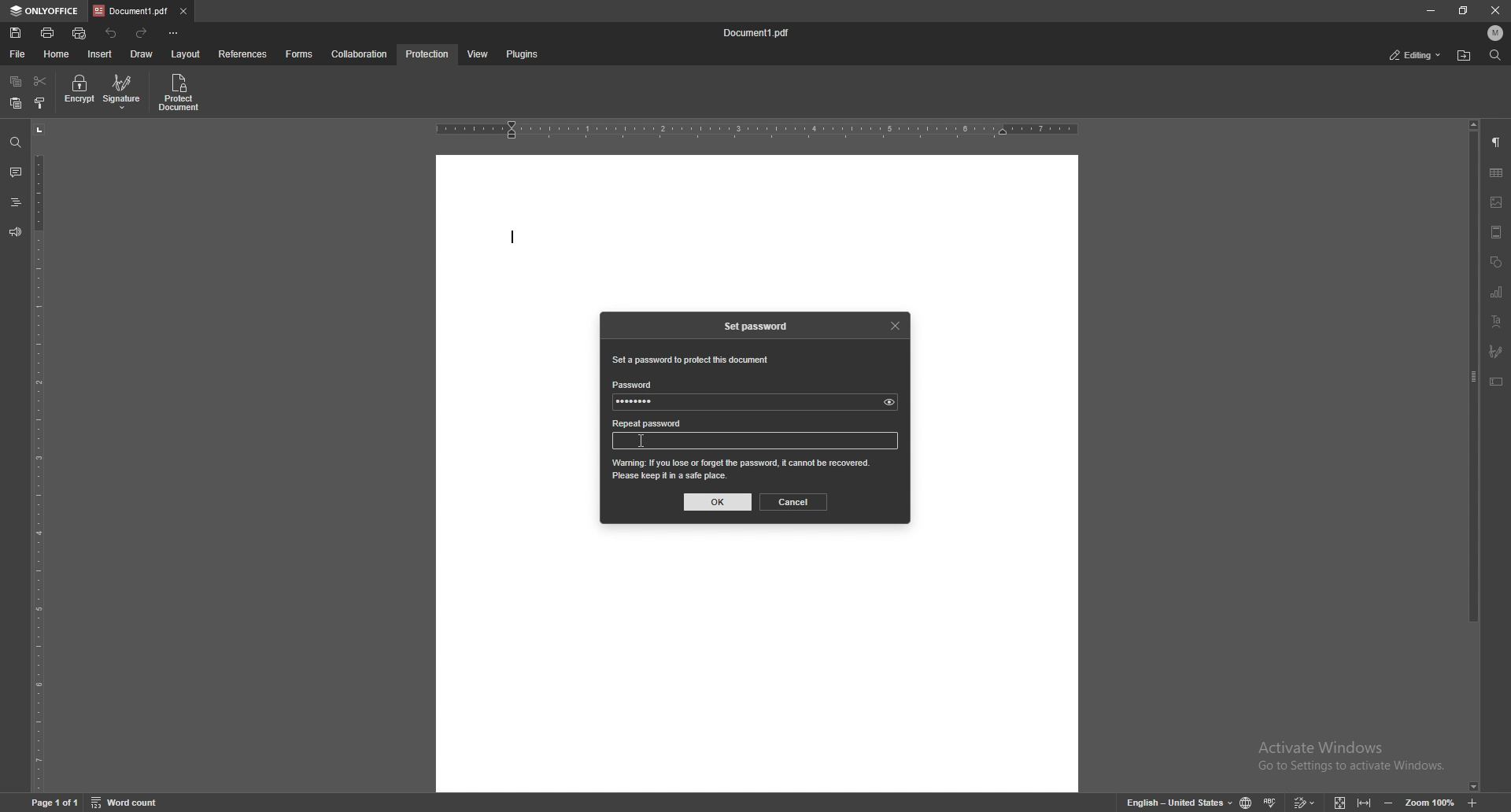 Image resolution: width=1511 pixels, height=812 pixels. What do you see at coordinates (1416, 55) in the screenshot?
I see `status` at bounding box center [1416, 55].